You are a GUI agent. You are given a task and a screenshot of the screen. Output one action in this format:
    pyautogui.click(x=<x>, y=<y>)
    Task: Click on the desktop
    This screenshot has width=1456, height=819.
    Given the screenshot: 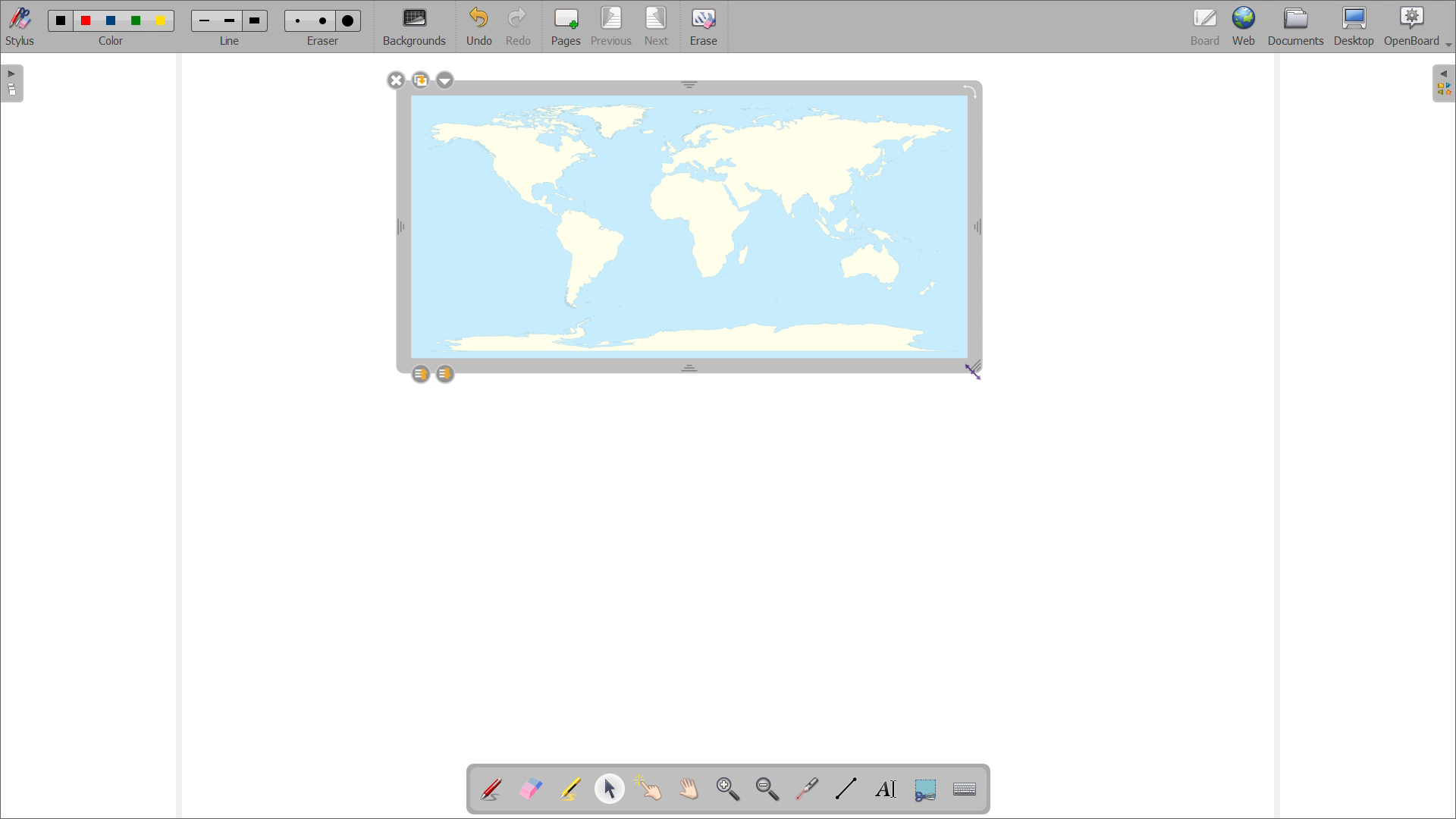 What is the action you would take?
    pyautogui.click(x=1354, y=27)
    